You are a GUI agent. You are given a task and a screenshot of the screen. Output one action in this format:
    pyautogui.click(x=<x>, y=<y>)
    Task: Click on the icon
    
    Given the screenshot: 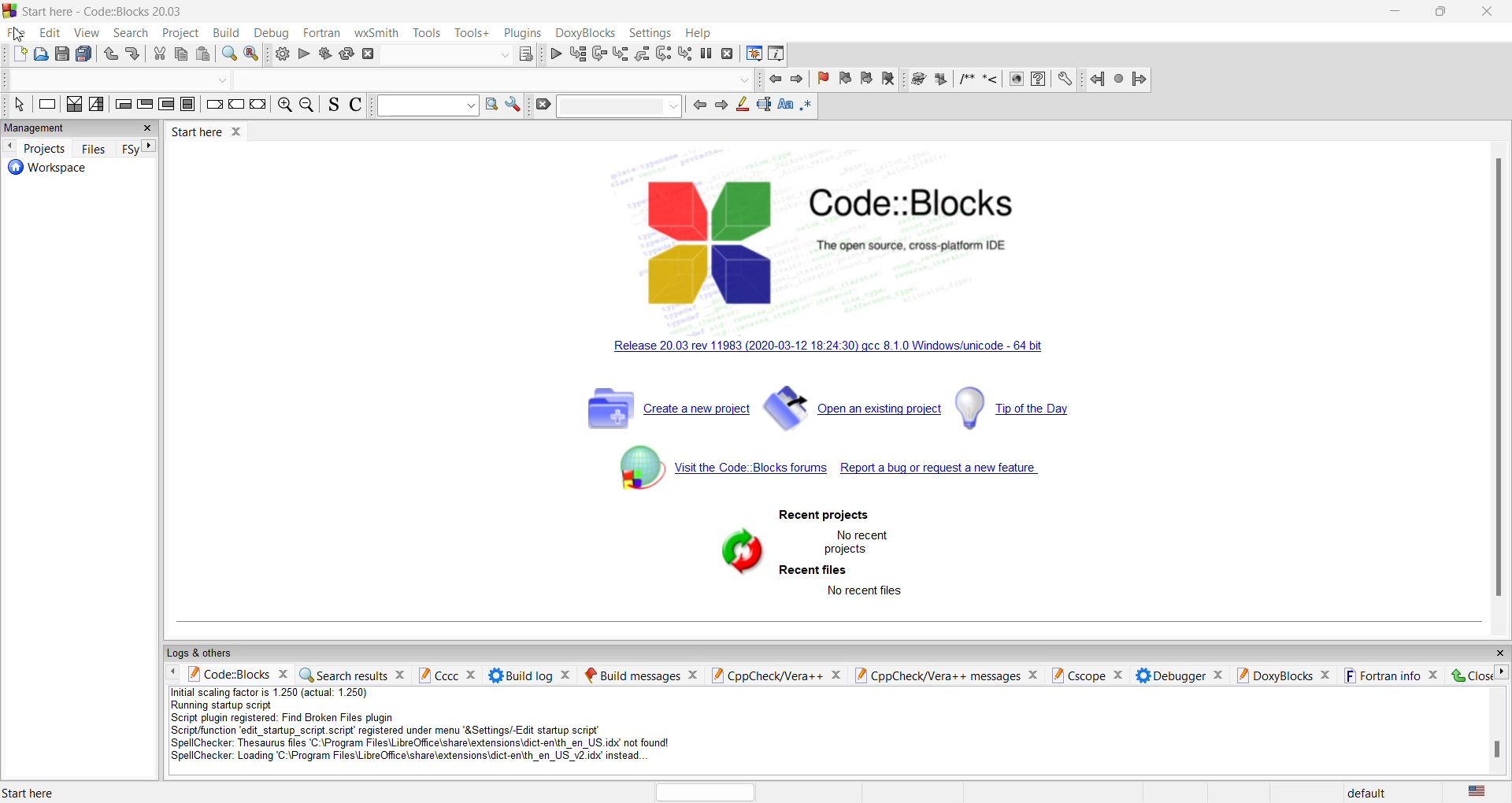 What is the action you would take?
    pyautogui.click(x=919, y=80)
    